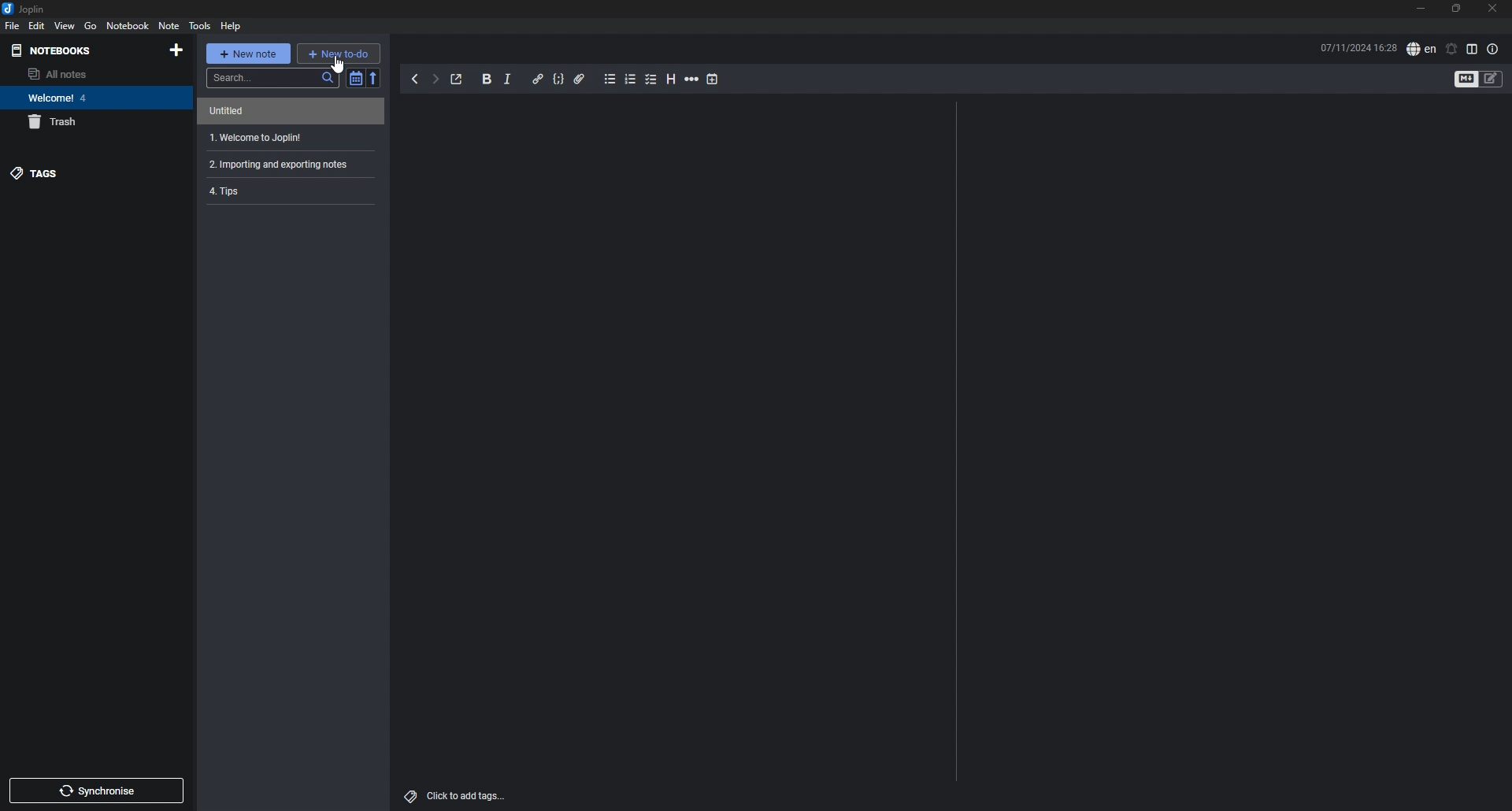 This screenshot has height=811, width=1512. Describe the element at coordinates (652, 80) in the screenshot. I see `checkbox` at that location.